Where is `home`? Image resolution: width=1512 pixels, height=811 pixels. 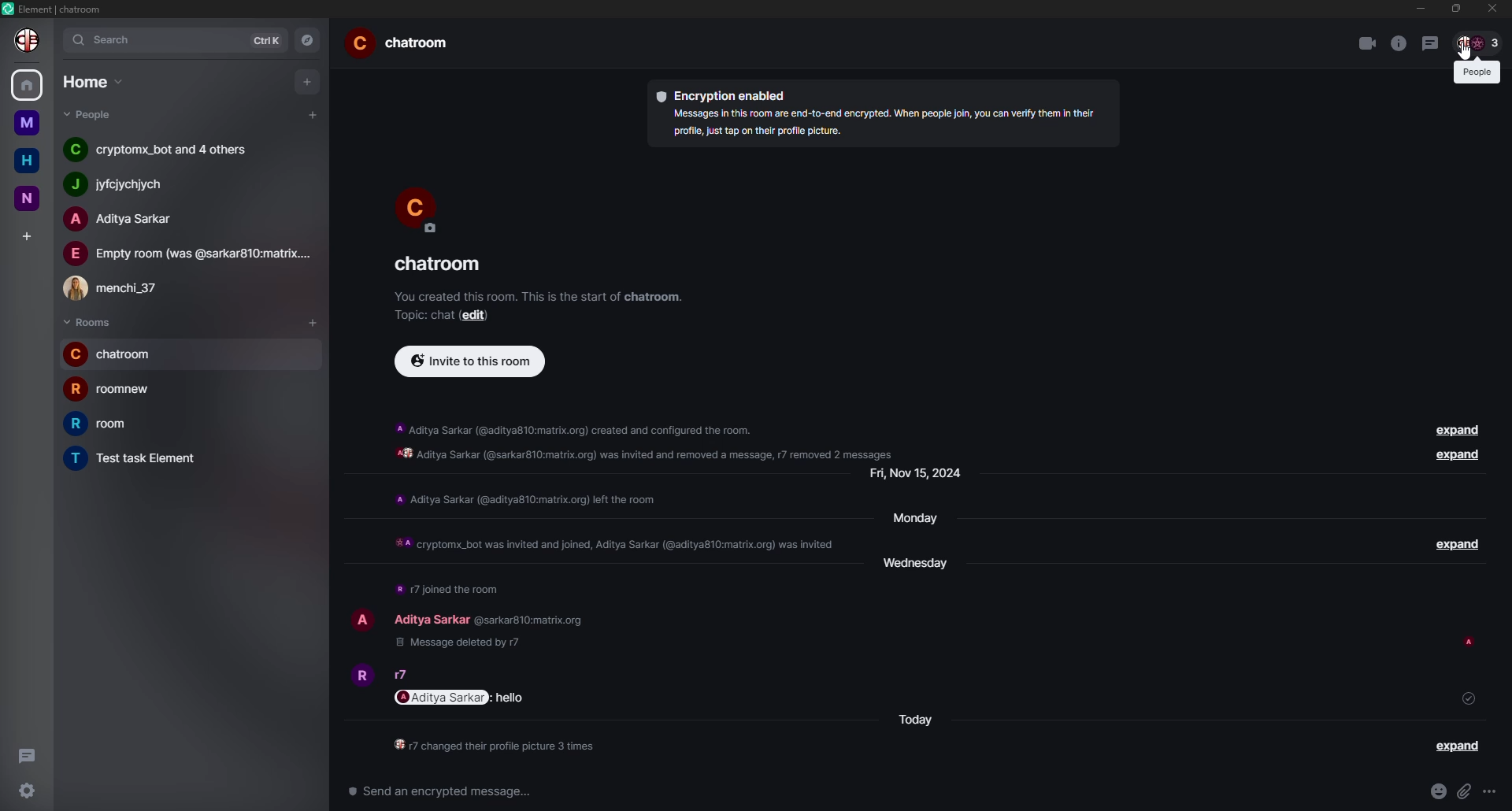
home is located at coordinates (28, 83).